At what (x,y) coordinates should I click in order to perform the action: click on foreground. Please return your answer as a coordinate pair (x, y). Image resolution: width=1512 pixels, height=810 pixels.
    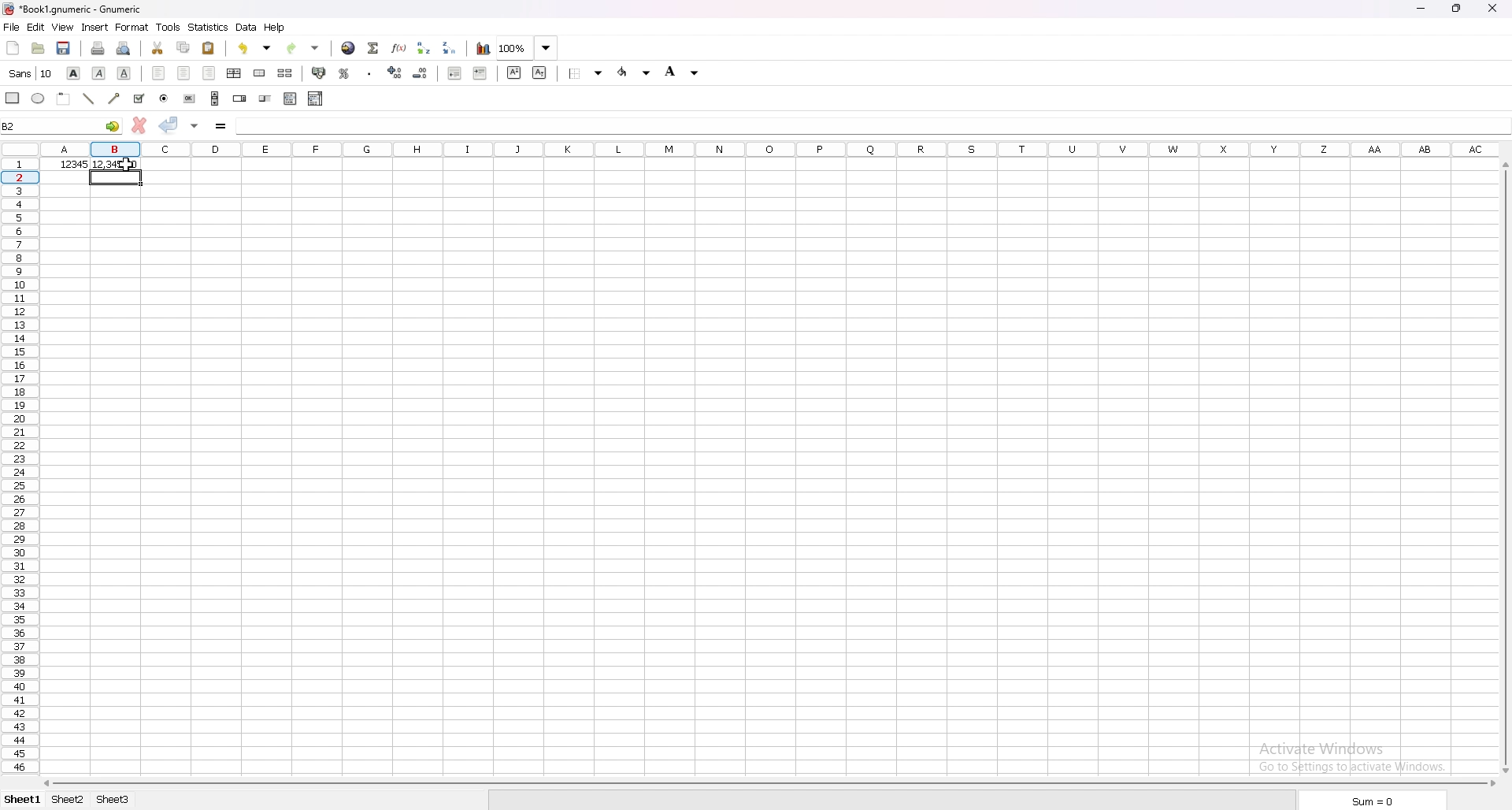
    Looking at the image, I should click on (633, 72).